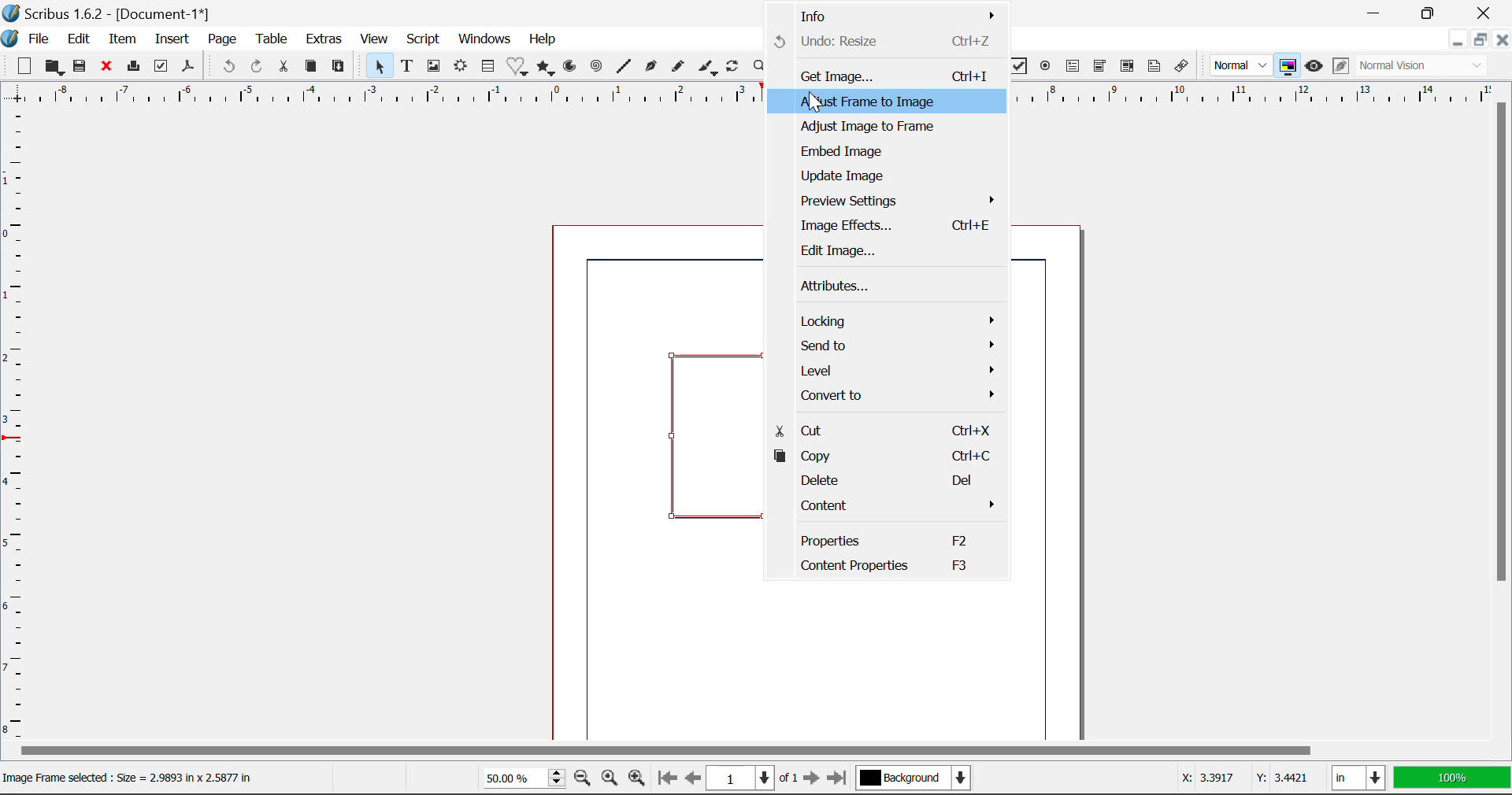 The height and width of the screenshot is (795, 1512). What do you see at coordinates (623, 68) in the screenshot?
I see `Line` at bounding box center [623, 68].